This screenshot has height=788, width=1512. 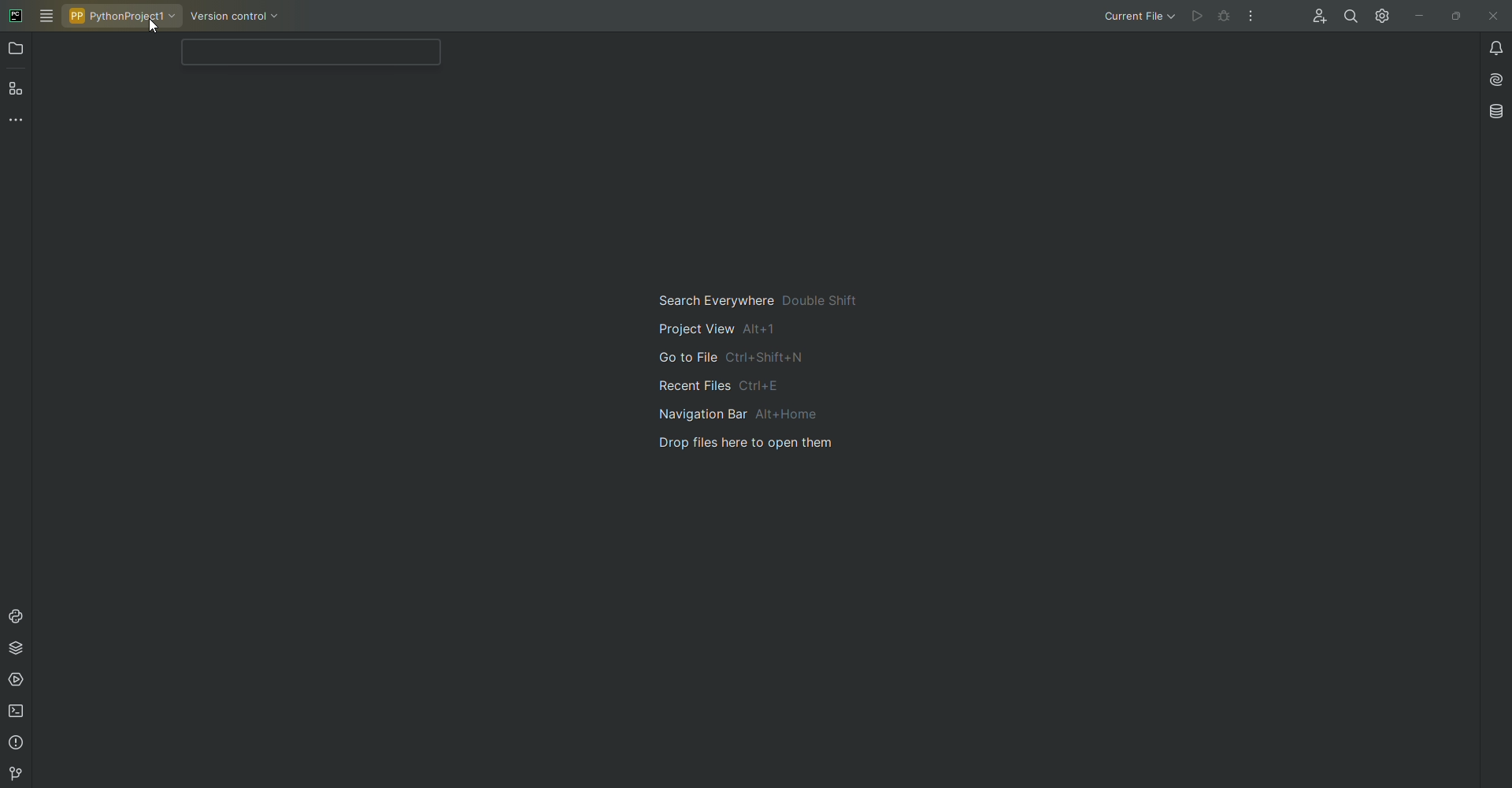 What do you see at coordinates (1346, 17) in the screenshot?
I see `Find` at bounding box center [1346, 17].